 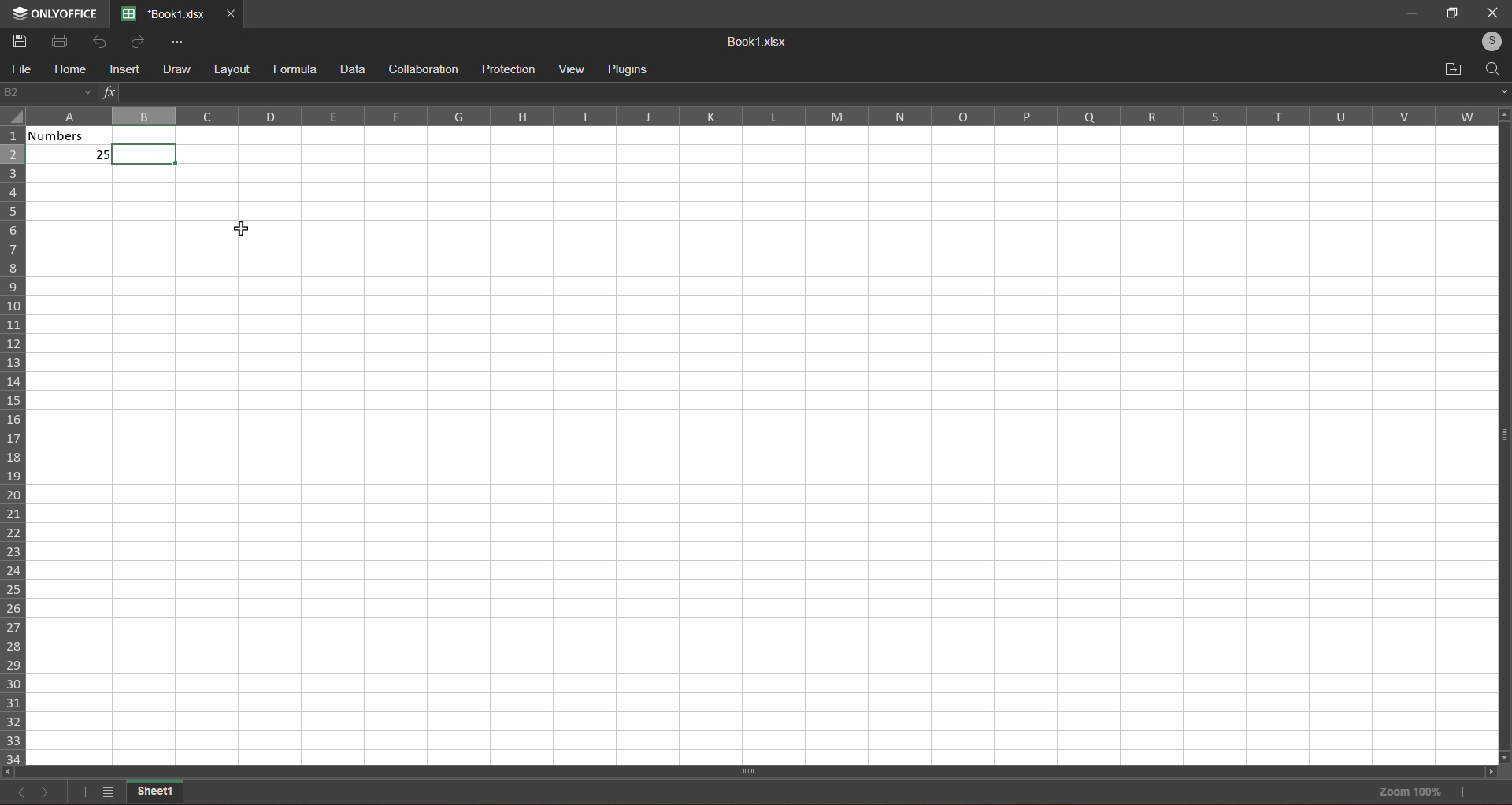 What do you see at coordinates (754, 42) in the screenshot?
I see `Book1.xisx` at bounding box center [754, 42].